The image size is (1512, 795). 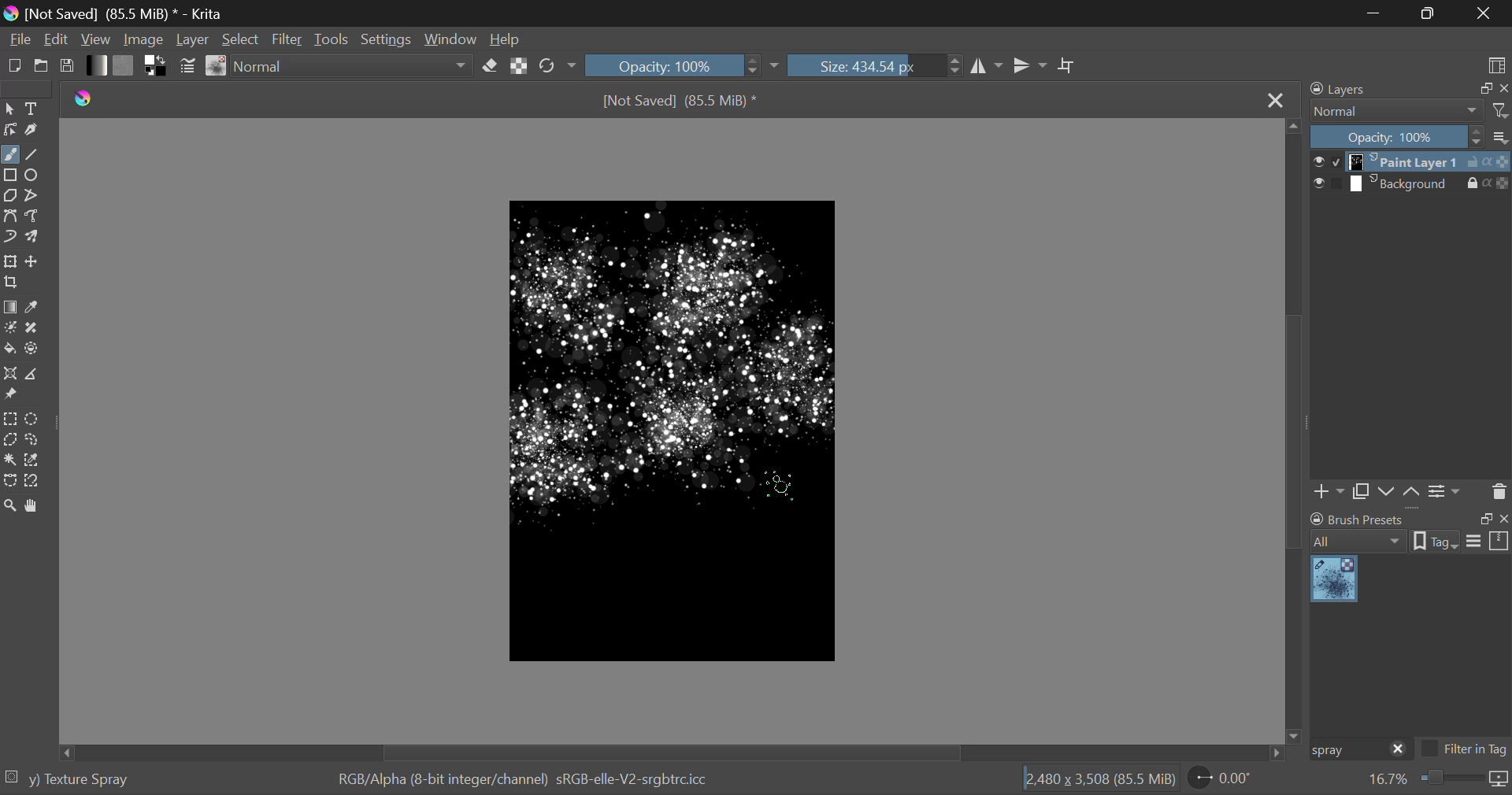 What do you see at coordinates (33, 196) in the screenshot?
I see `Polyline` at bounding box center [33, 196].